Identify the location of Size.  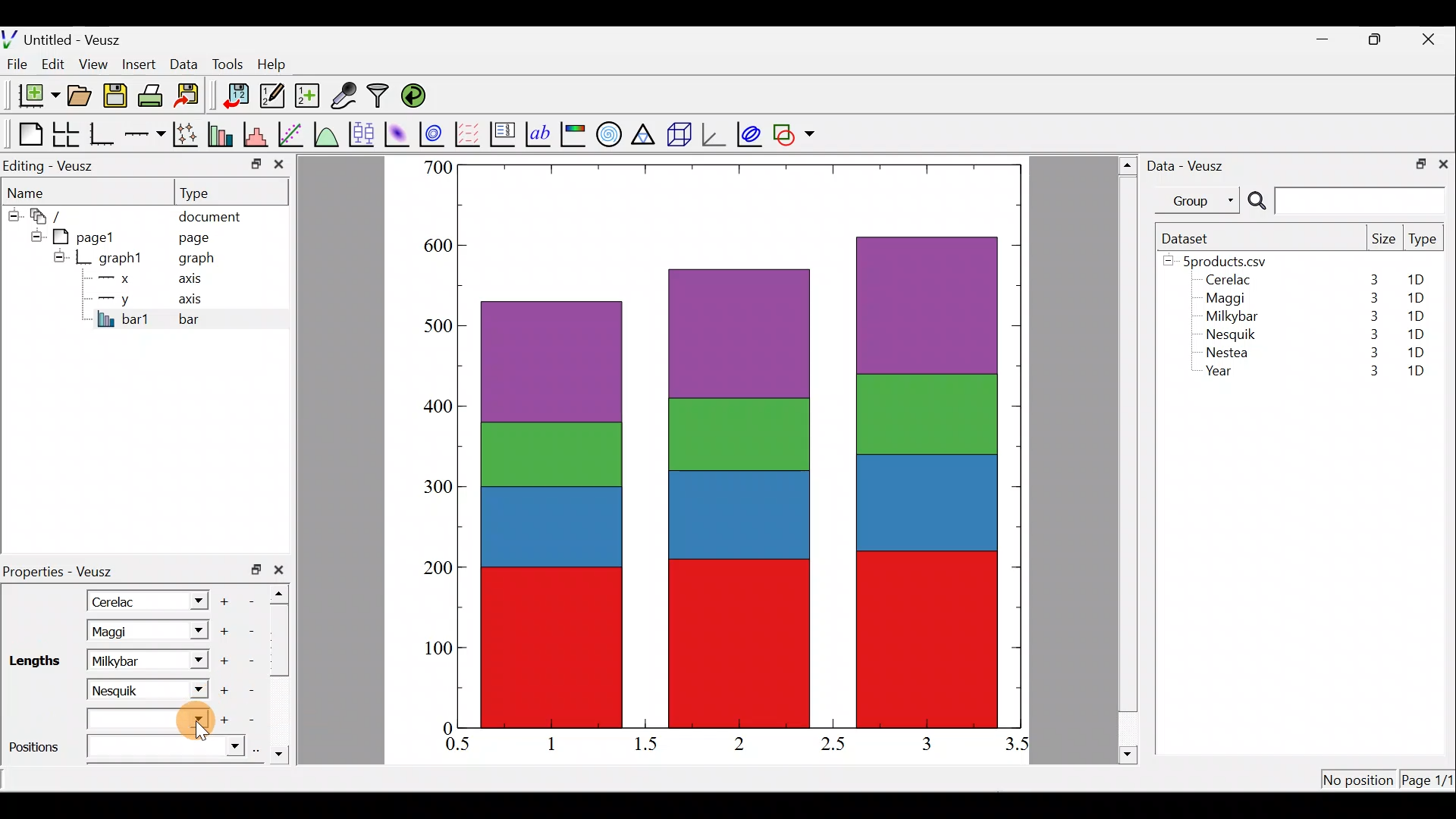
(1383, 240).